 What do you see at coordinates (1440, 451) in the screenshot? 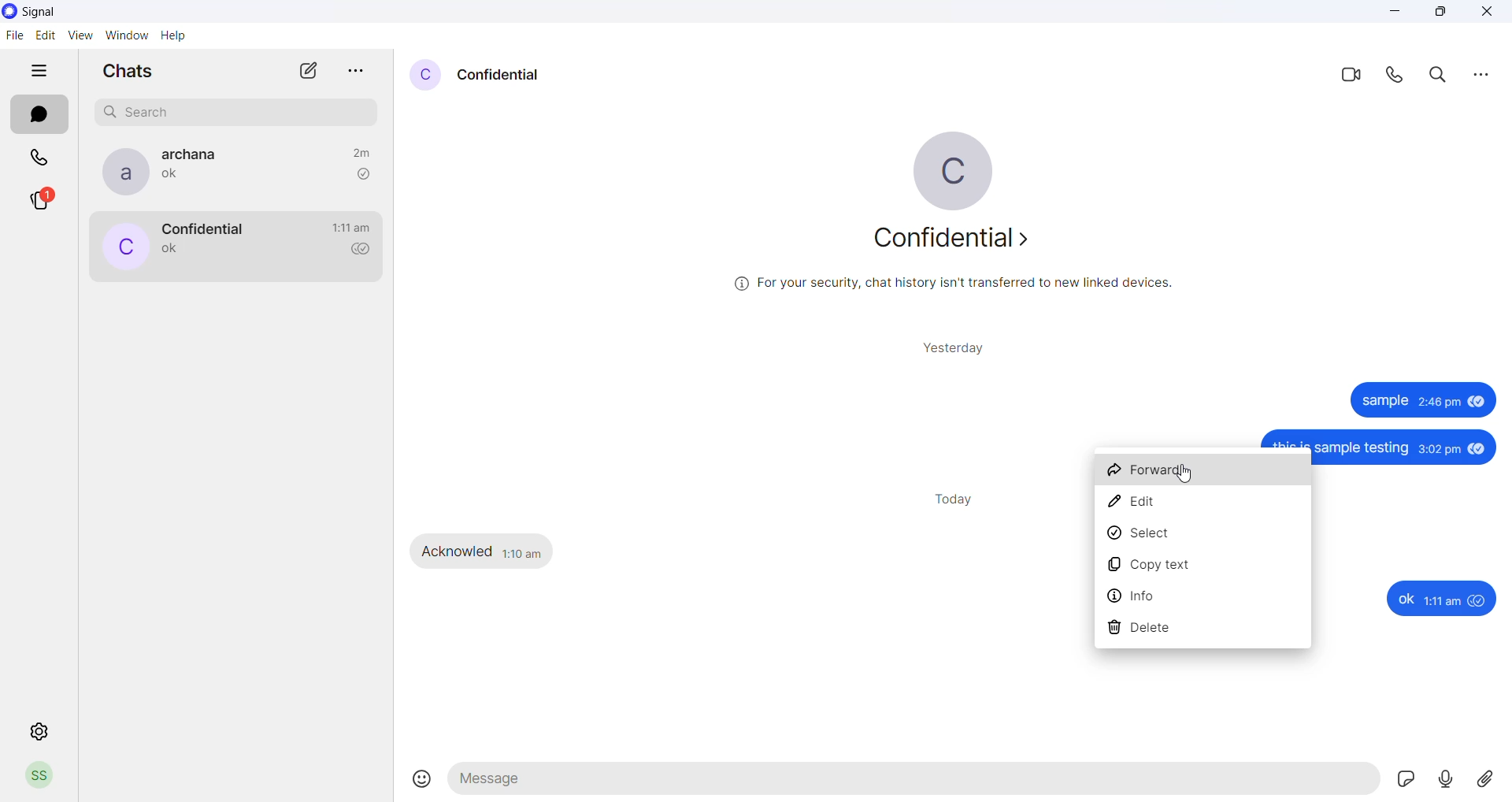
I see `3:02 pm` at bounding box center [1440, 451].